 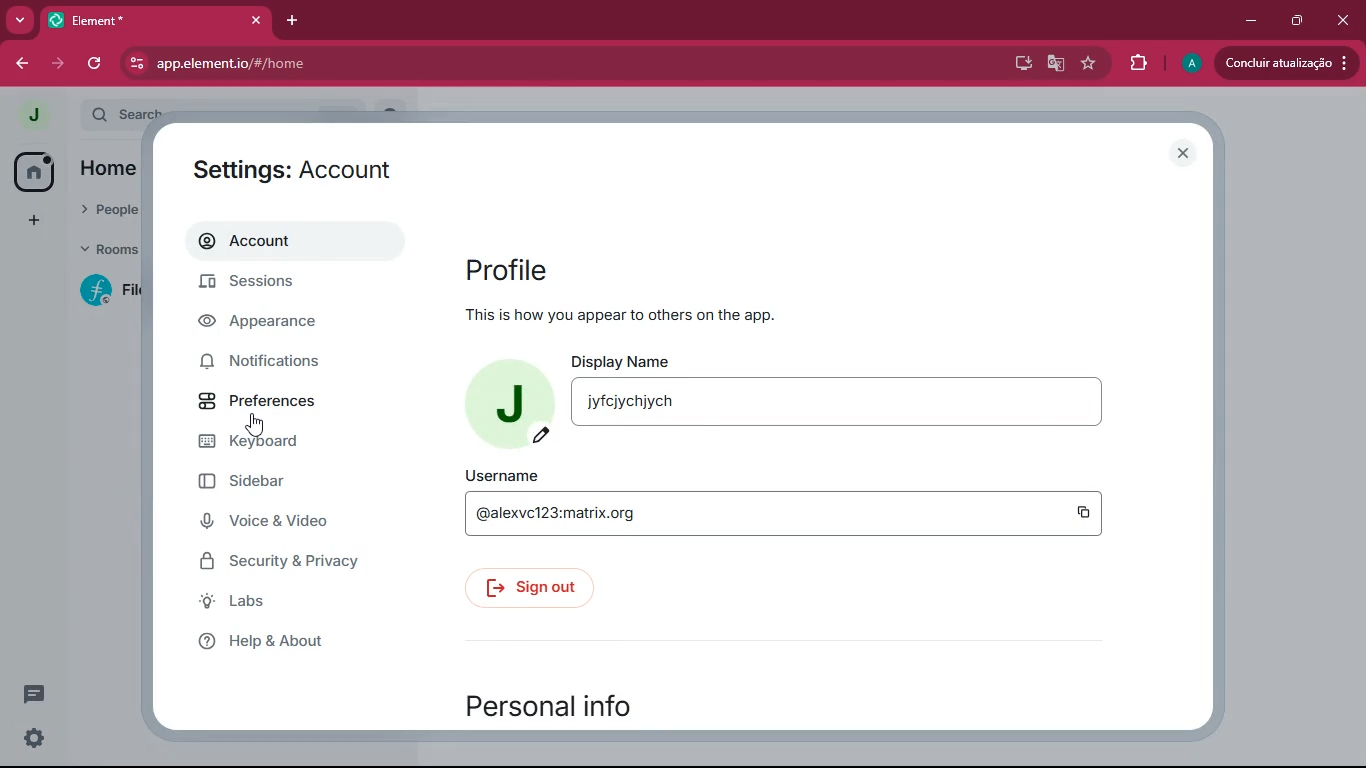 What do you see at coordinates (1252, 18) in the screenshot?
I see `minimize` at bounding box center [1252, 18].